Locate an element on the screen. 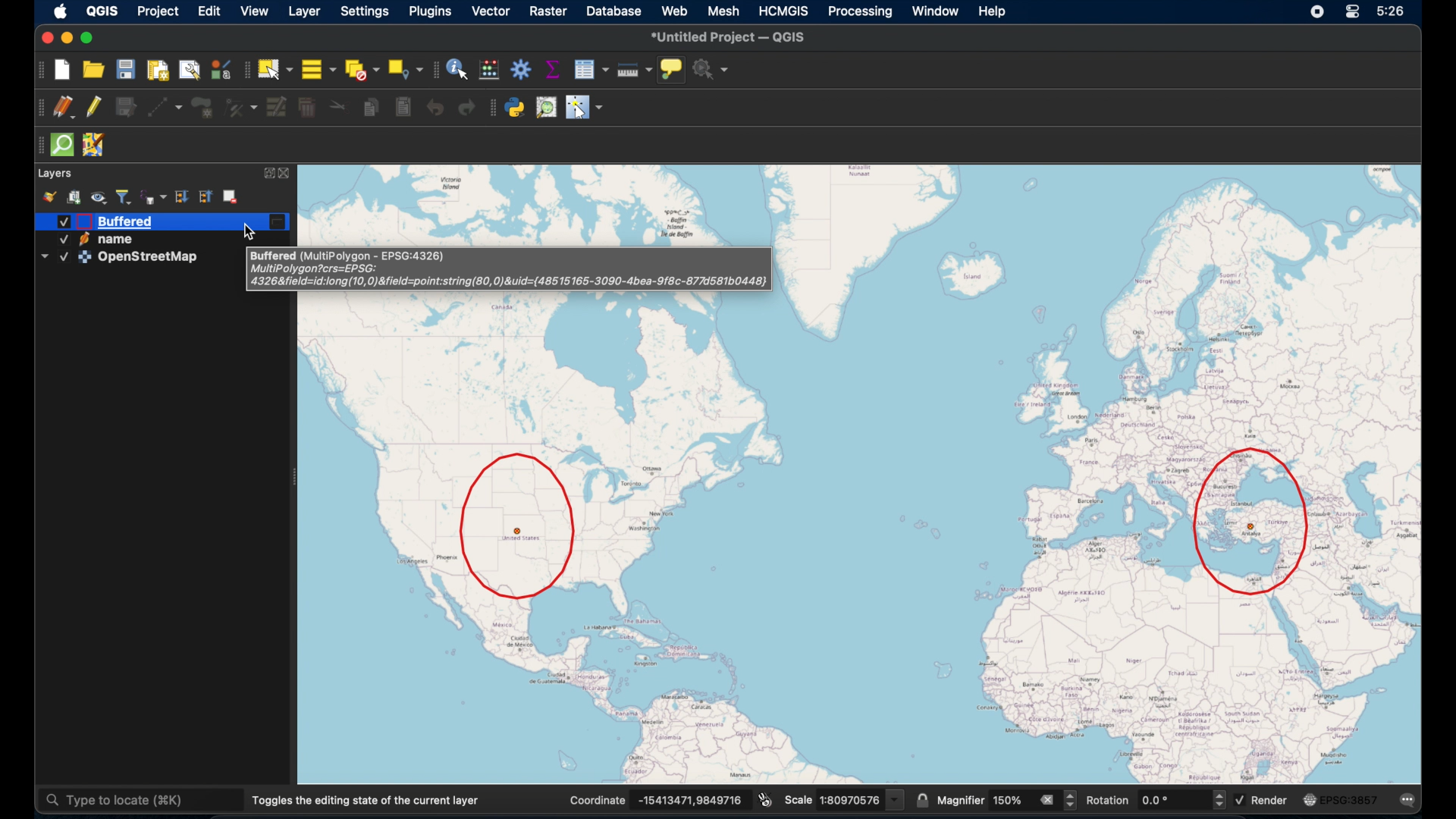  save project is located at coordinates (125, 69).